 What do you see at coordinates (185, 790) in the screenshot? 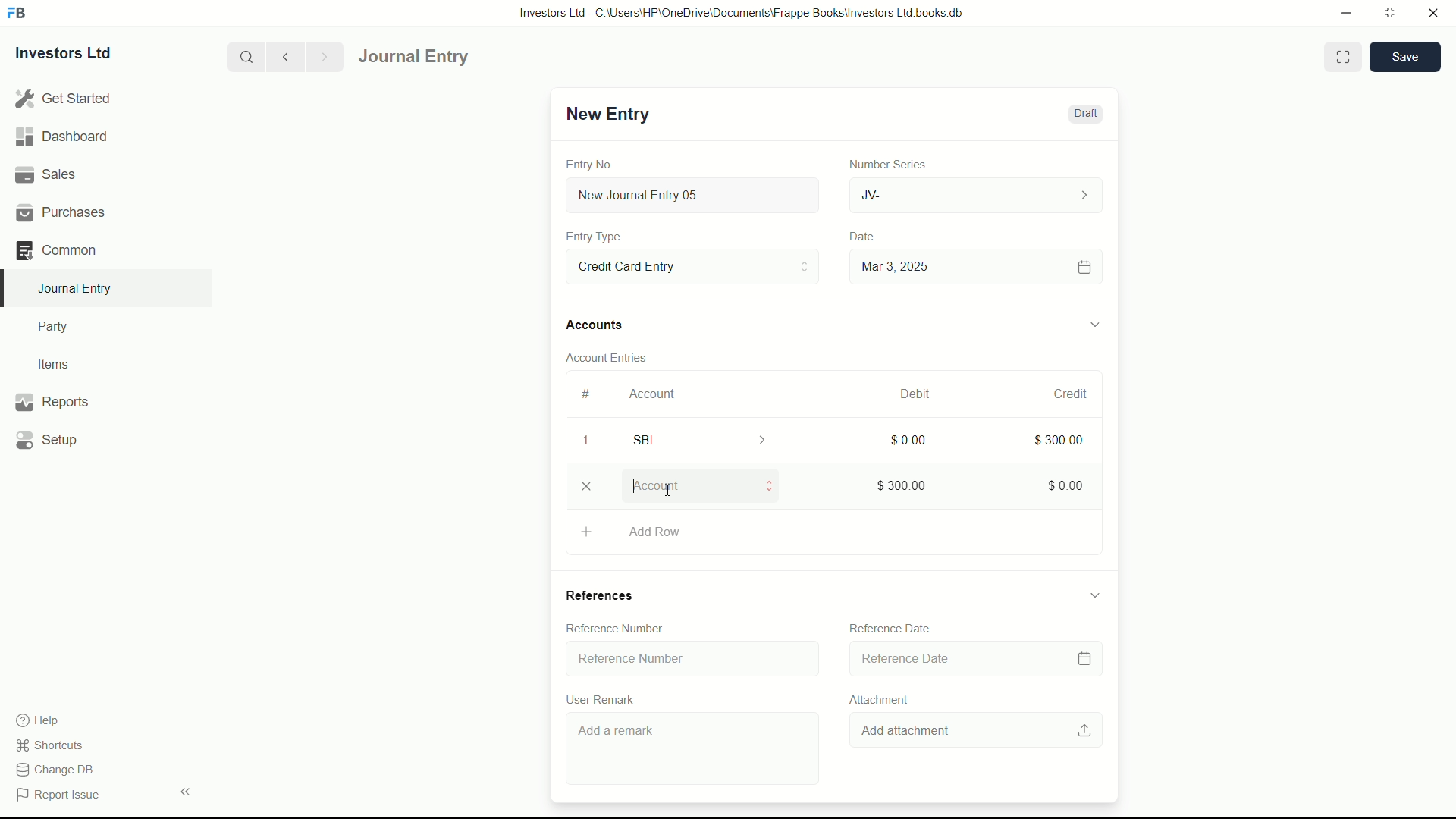
I see `expand/collapse` at bounding box center [185, 790].